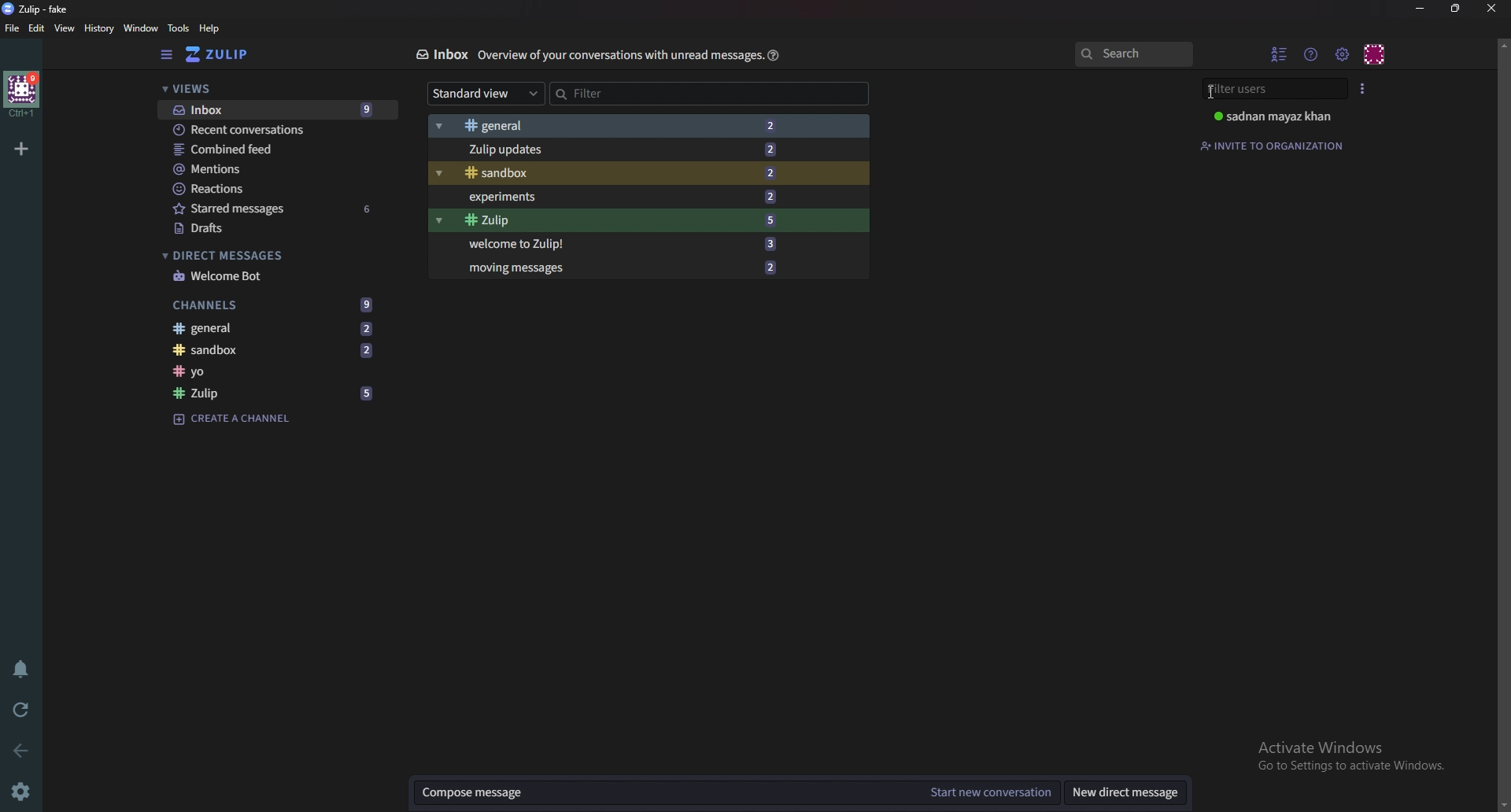 The height and width of the screenshot is (812, 1511). What do you see at coordinates (1117, 54) in the screenshot?
I see `Search` at bounding box center [1117, 54].